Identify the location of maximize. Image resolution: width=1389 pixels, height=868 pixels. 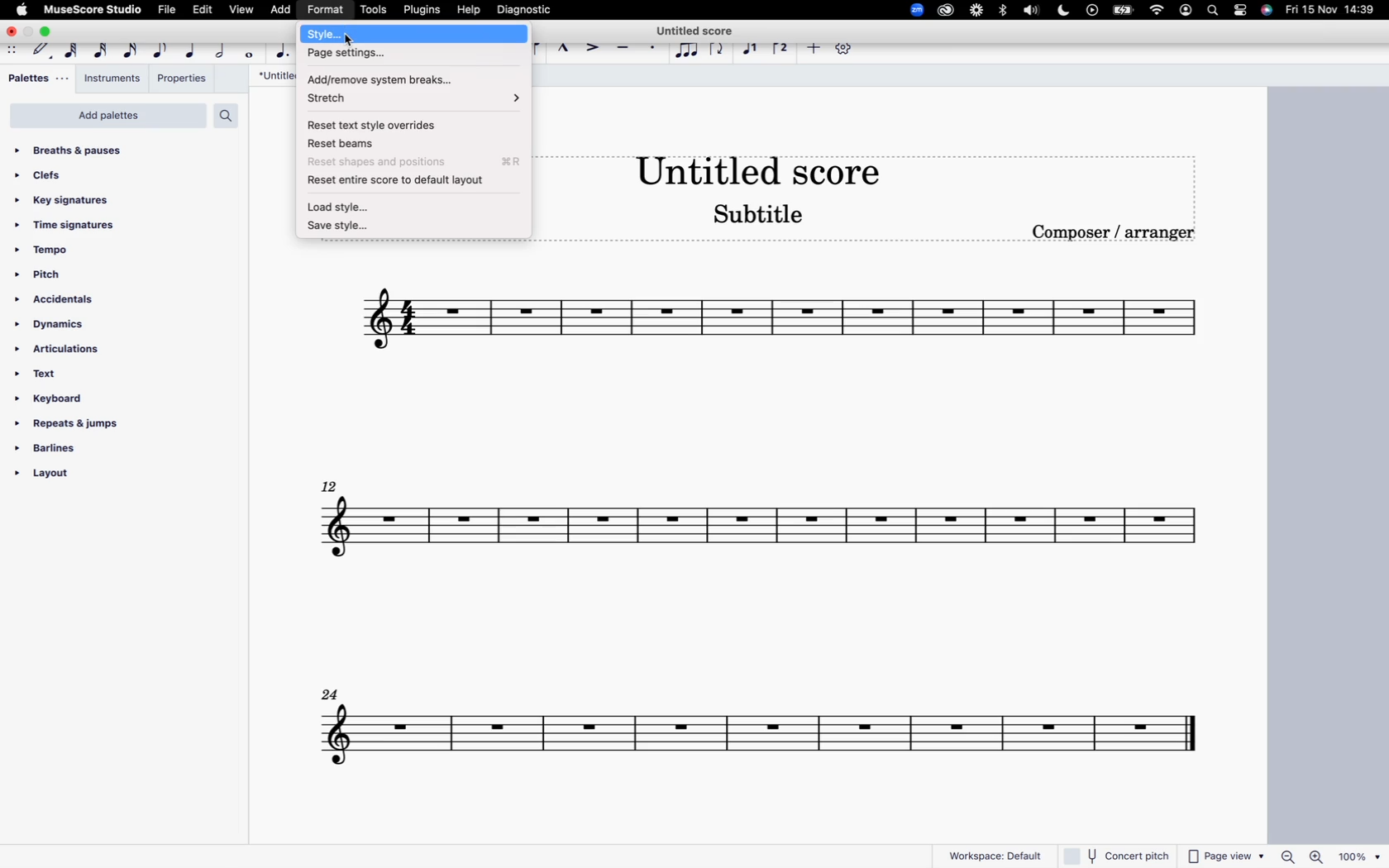
(47, 33).